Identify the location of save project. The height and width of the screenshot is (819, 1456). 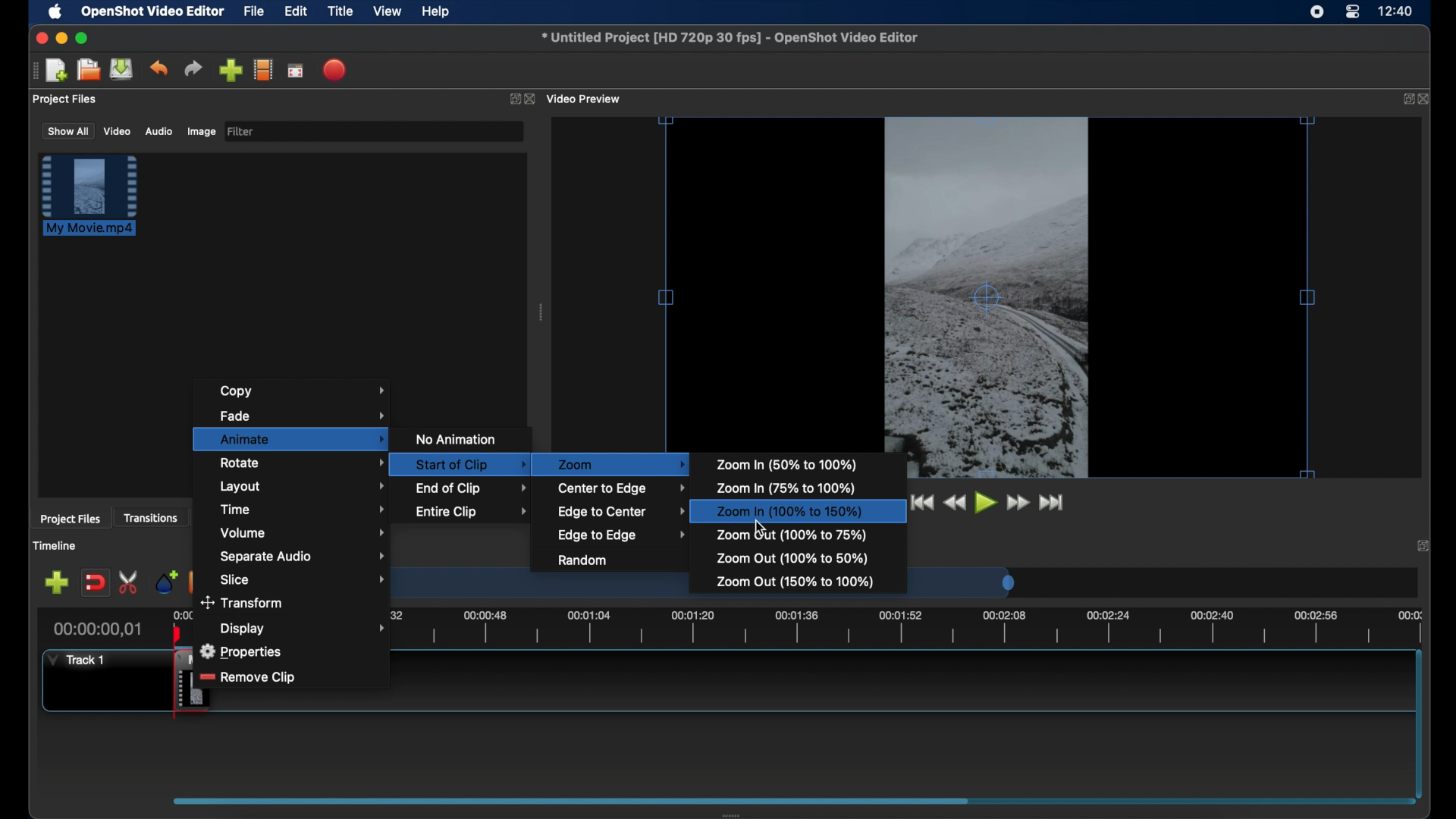
(121, 69).